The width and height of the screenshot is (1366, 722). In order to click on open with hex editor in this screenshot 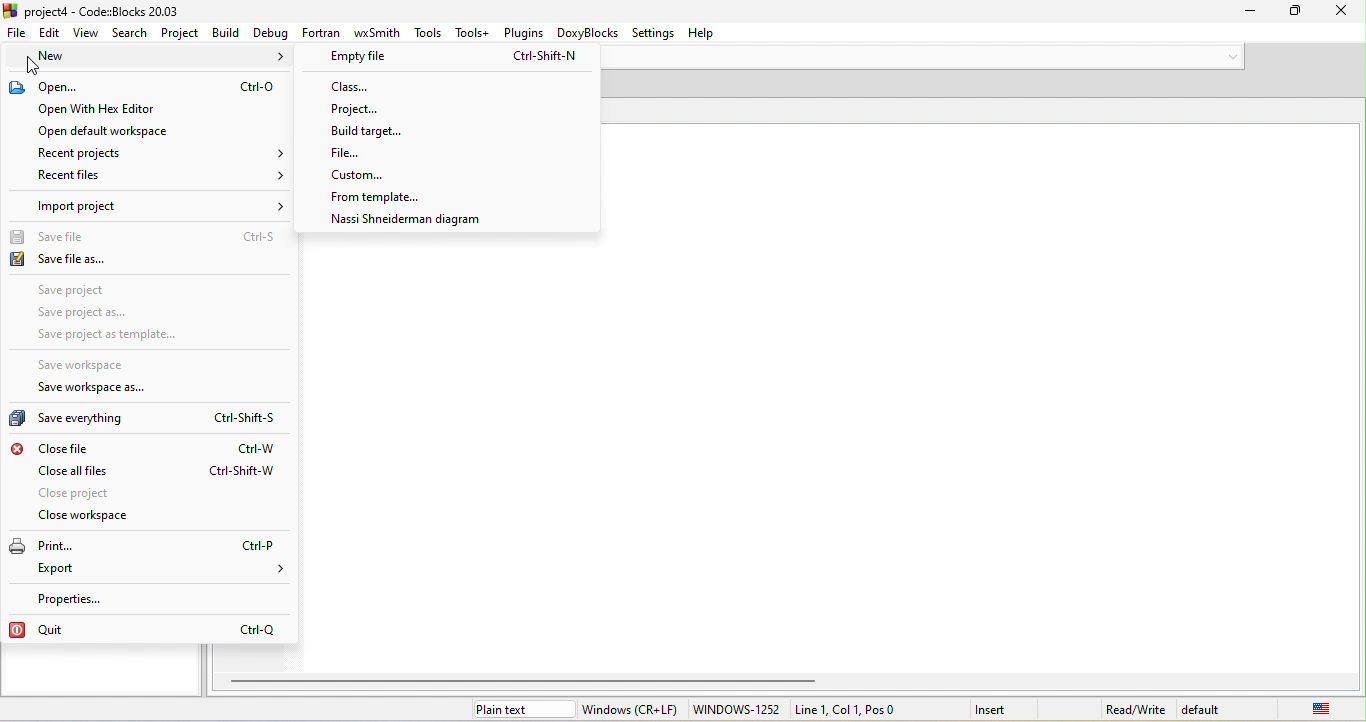, I will do `click(146, 110)`.